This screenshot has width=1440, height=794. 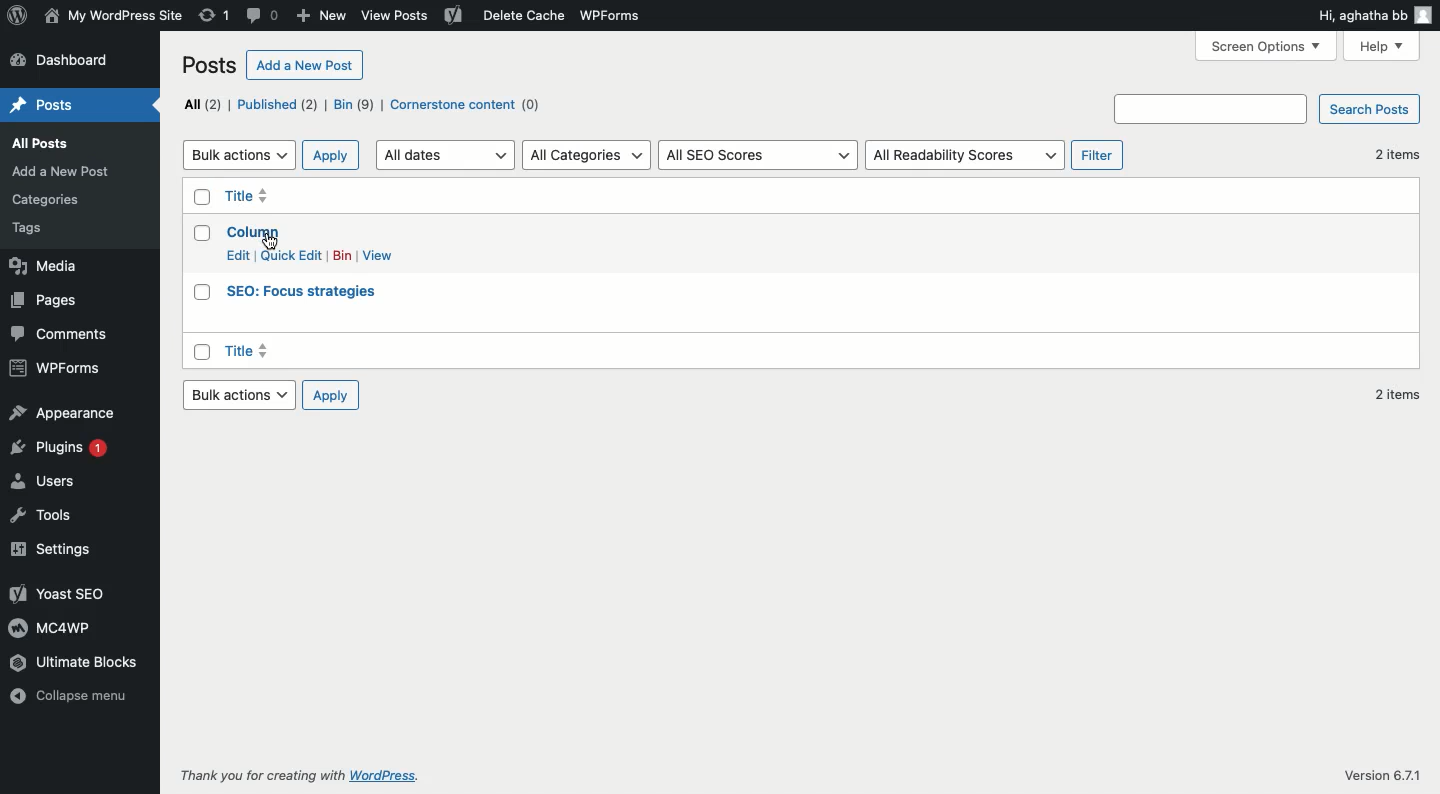 I want to click on Delete cache, so click(x=521, y=15).